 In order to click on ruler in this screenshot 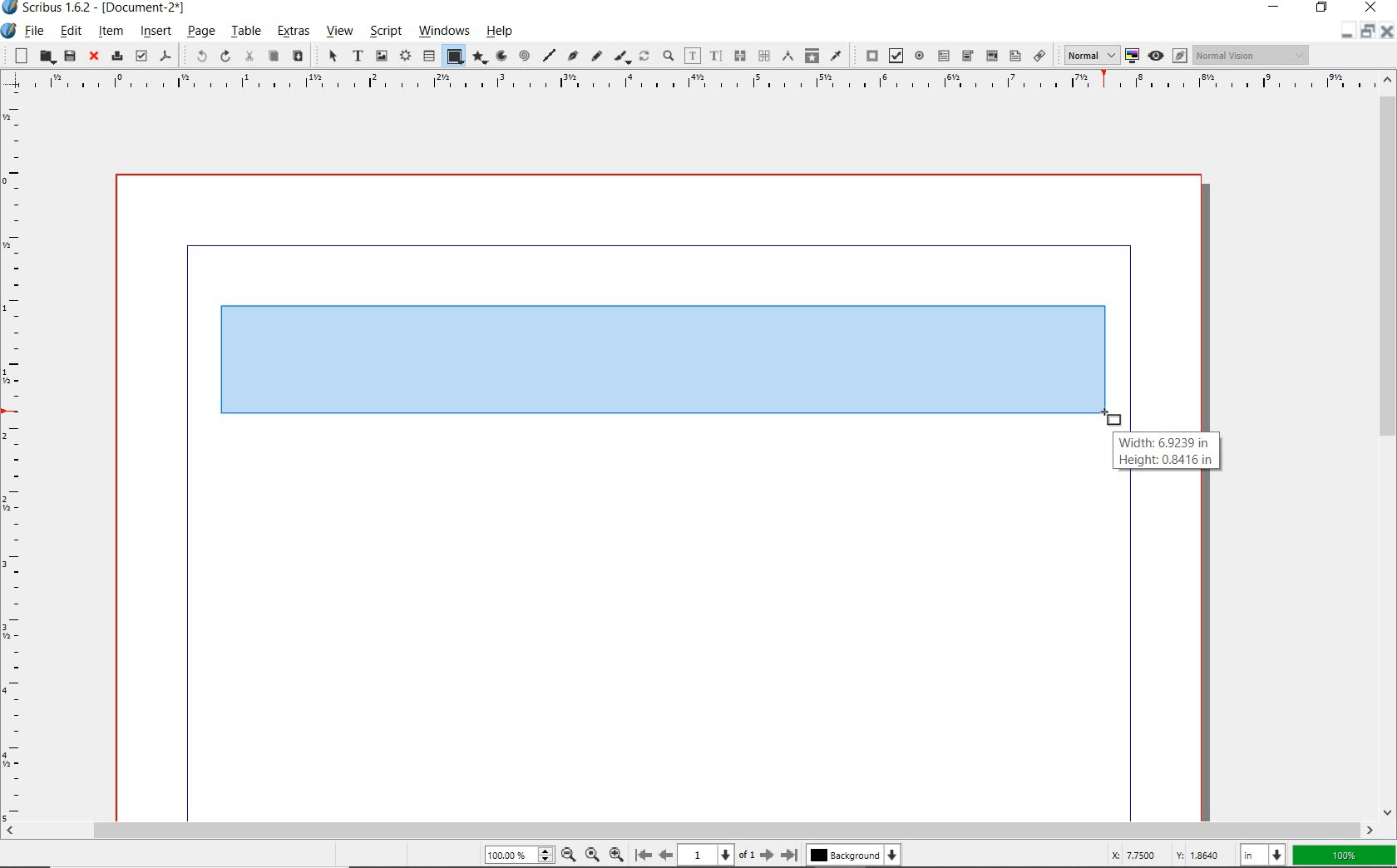, I will do `click(692, 84)`.